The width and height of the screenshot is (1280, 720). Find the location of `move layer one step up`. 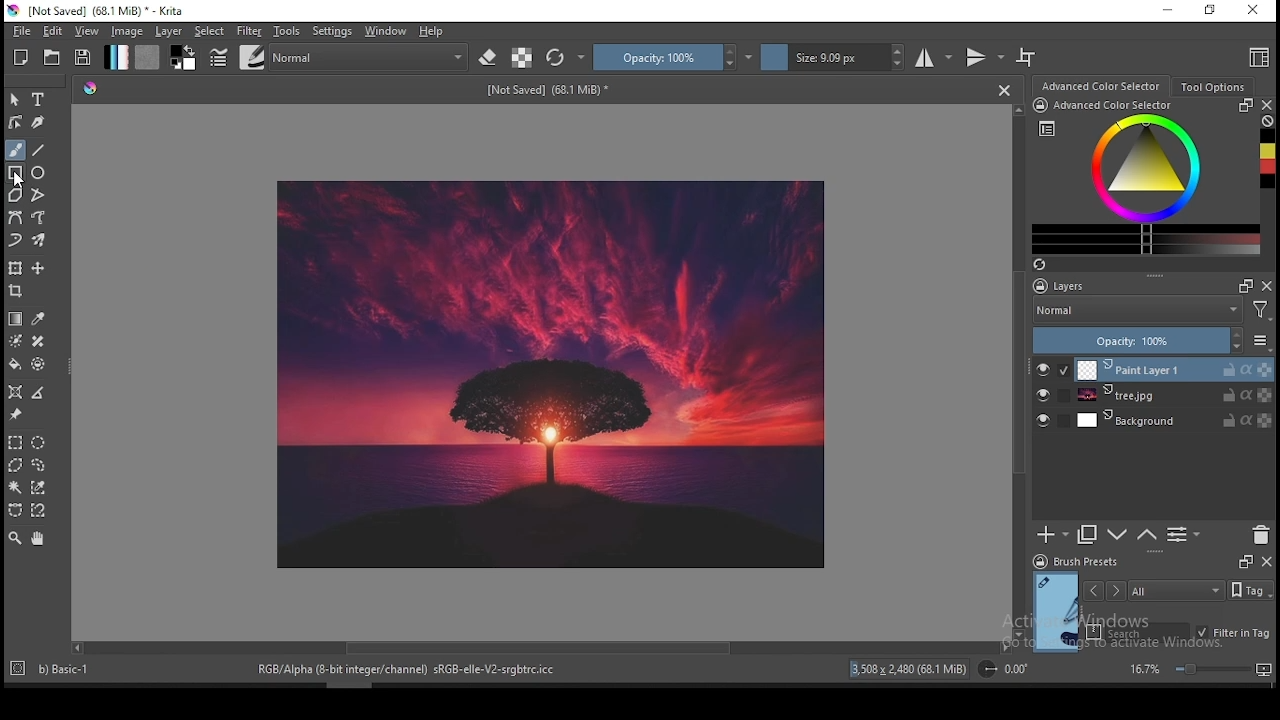

move layer one step up is located at coordinates (1145, 535).